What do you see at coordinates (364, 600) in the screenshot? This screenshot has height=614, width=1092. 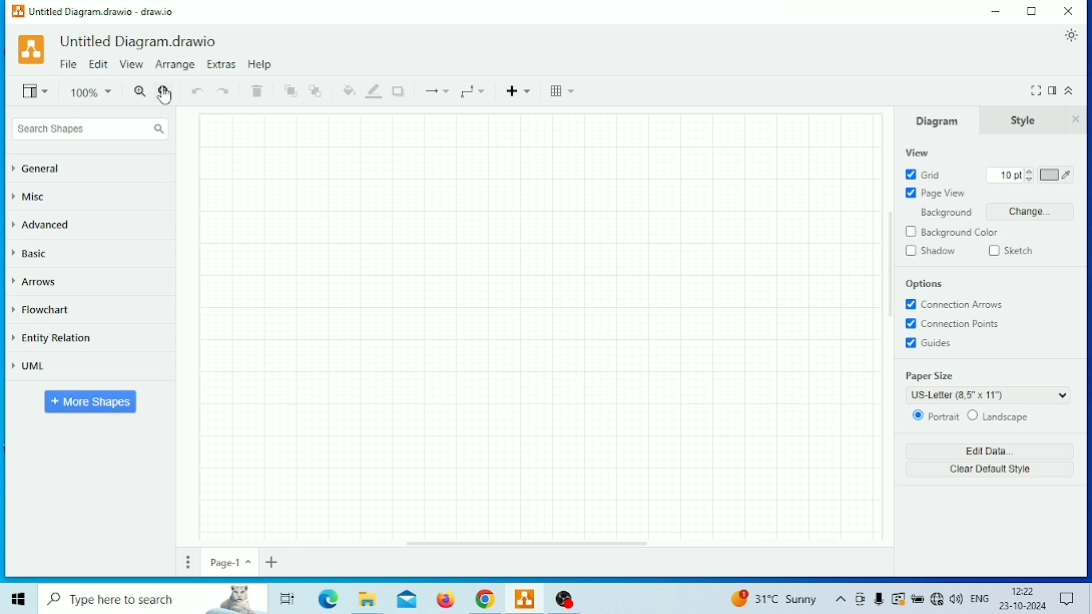 I see `File Explorer` at bounding box center [364, 600].